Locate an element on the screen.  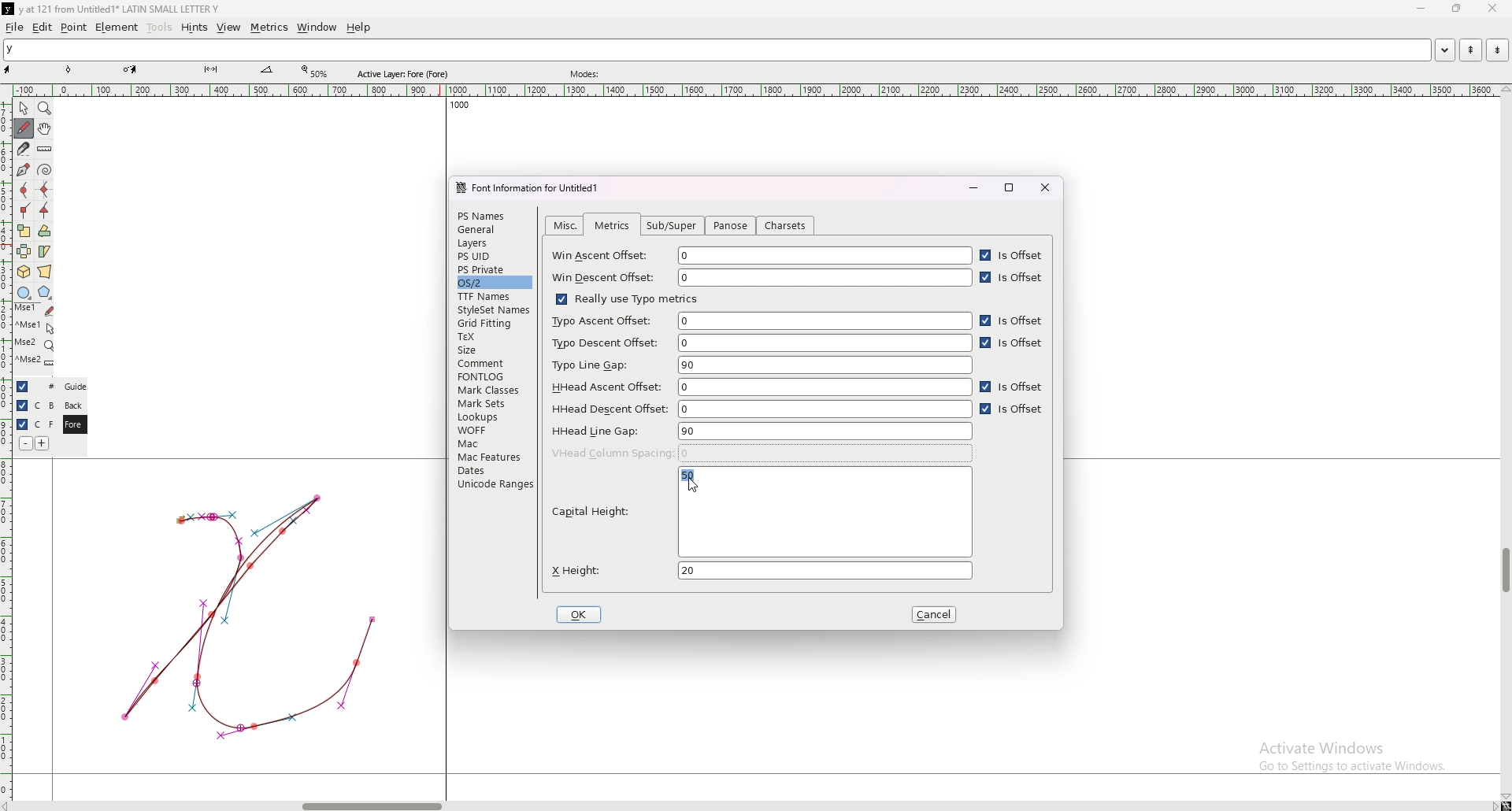
fontlog is located at coordinates (495, 376).